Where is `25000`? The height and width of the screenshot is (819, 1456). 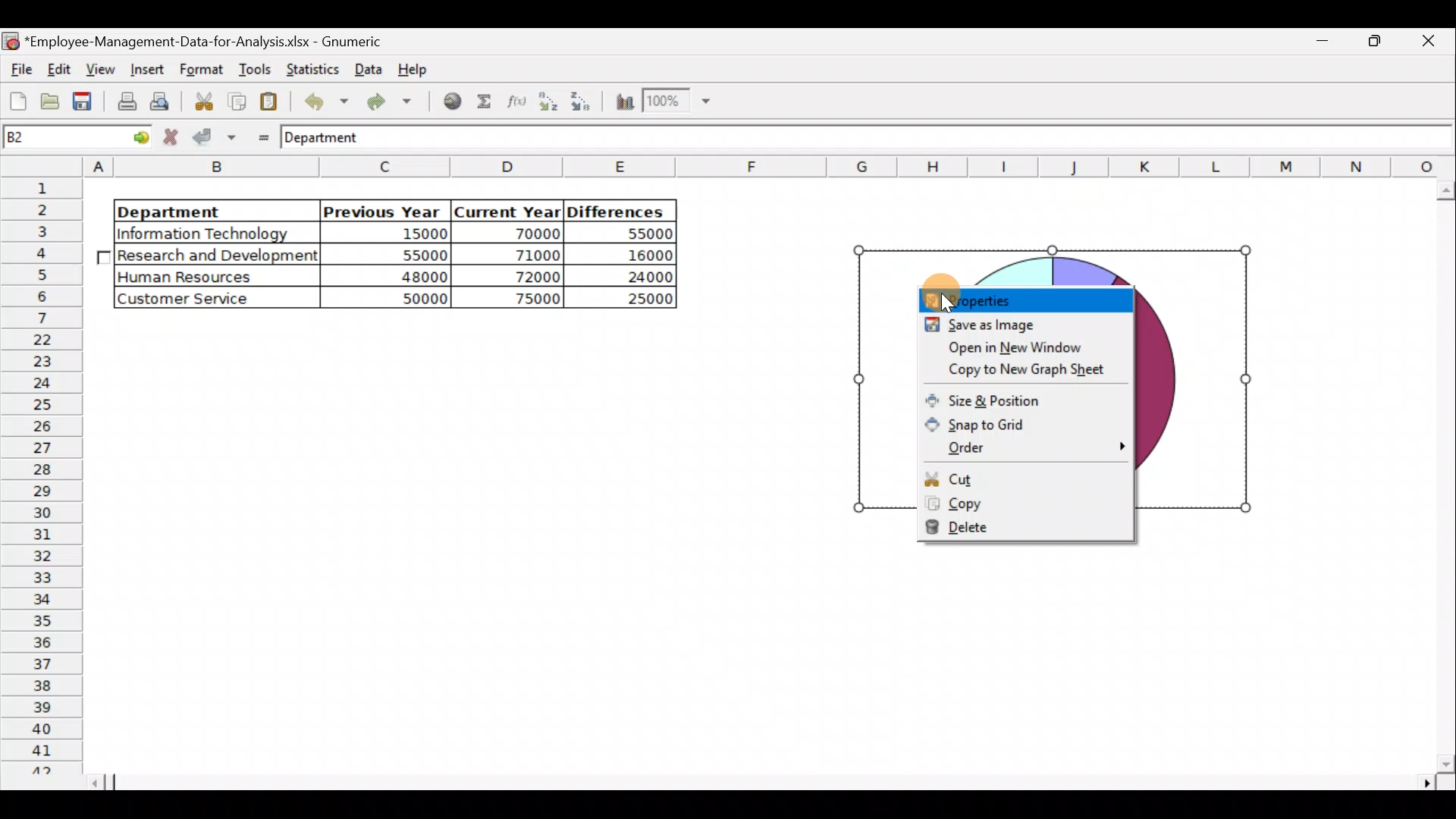 25000 is located at coordinates (632, 300).